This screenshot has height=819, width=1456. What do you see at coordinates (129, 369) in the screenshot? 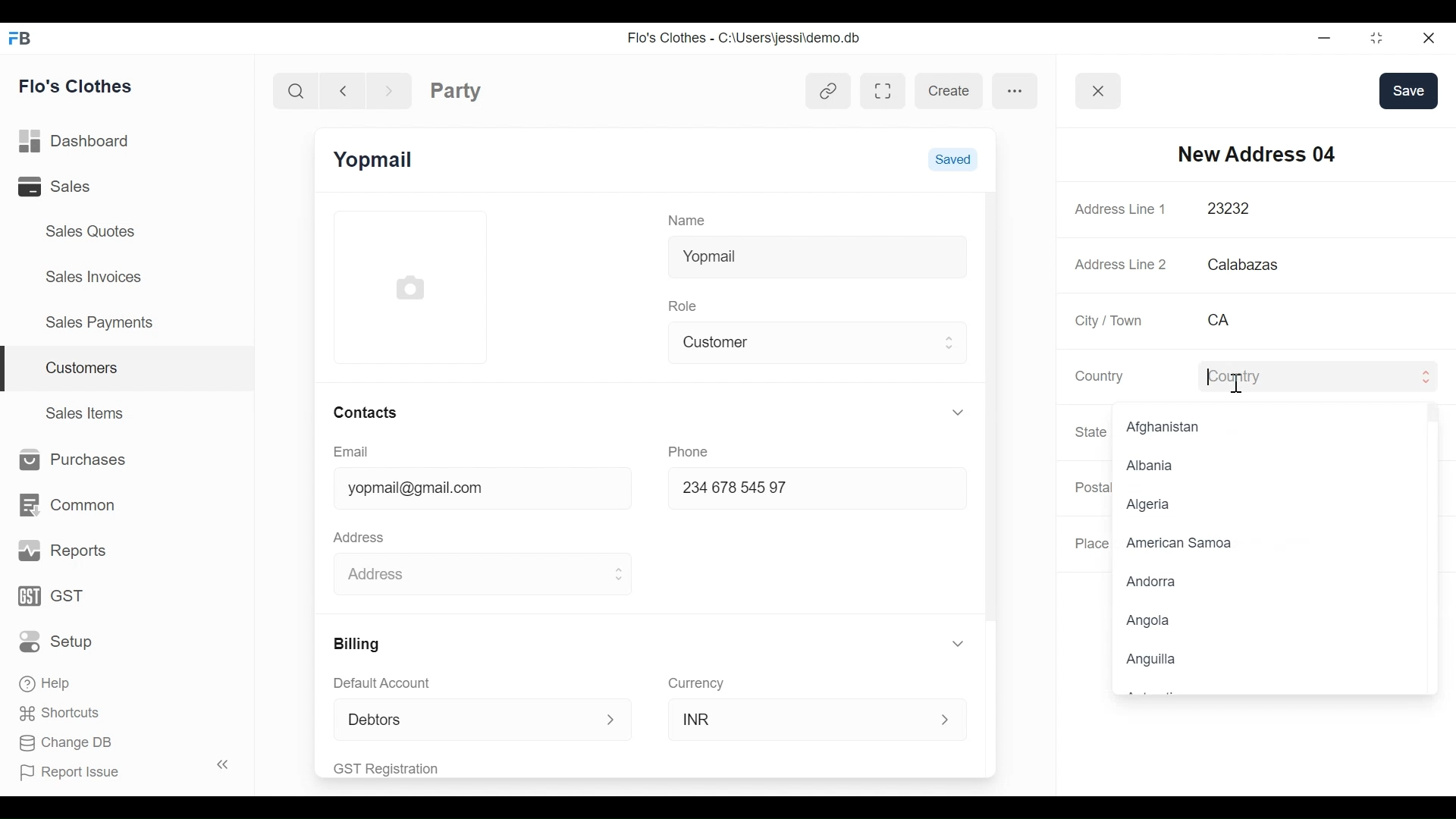
I see `Customers` at bounding box center [129, 369].